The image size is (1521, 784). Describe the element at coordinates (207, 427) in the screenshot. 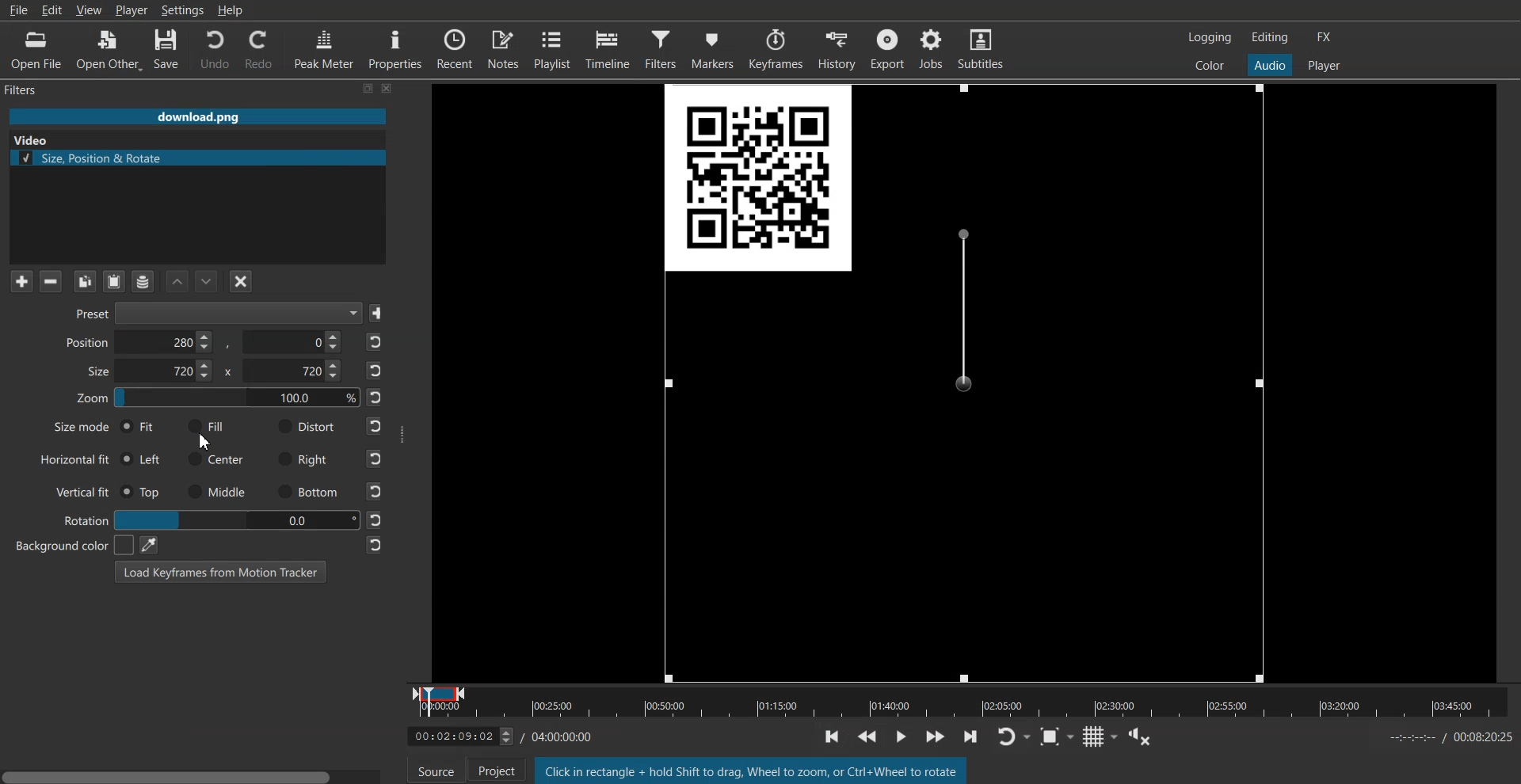

I see `Fill` at that location.